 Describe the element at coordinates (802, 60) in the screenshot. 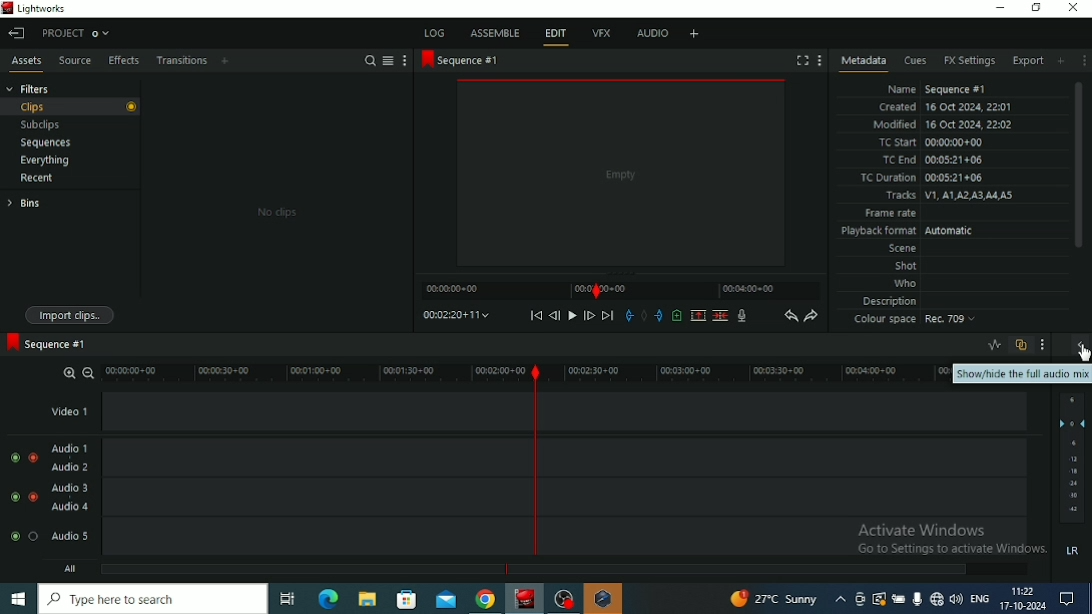

I see `Fullscreen` at that location.